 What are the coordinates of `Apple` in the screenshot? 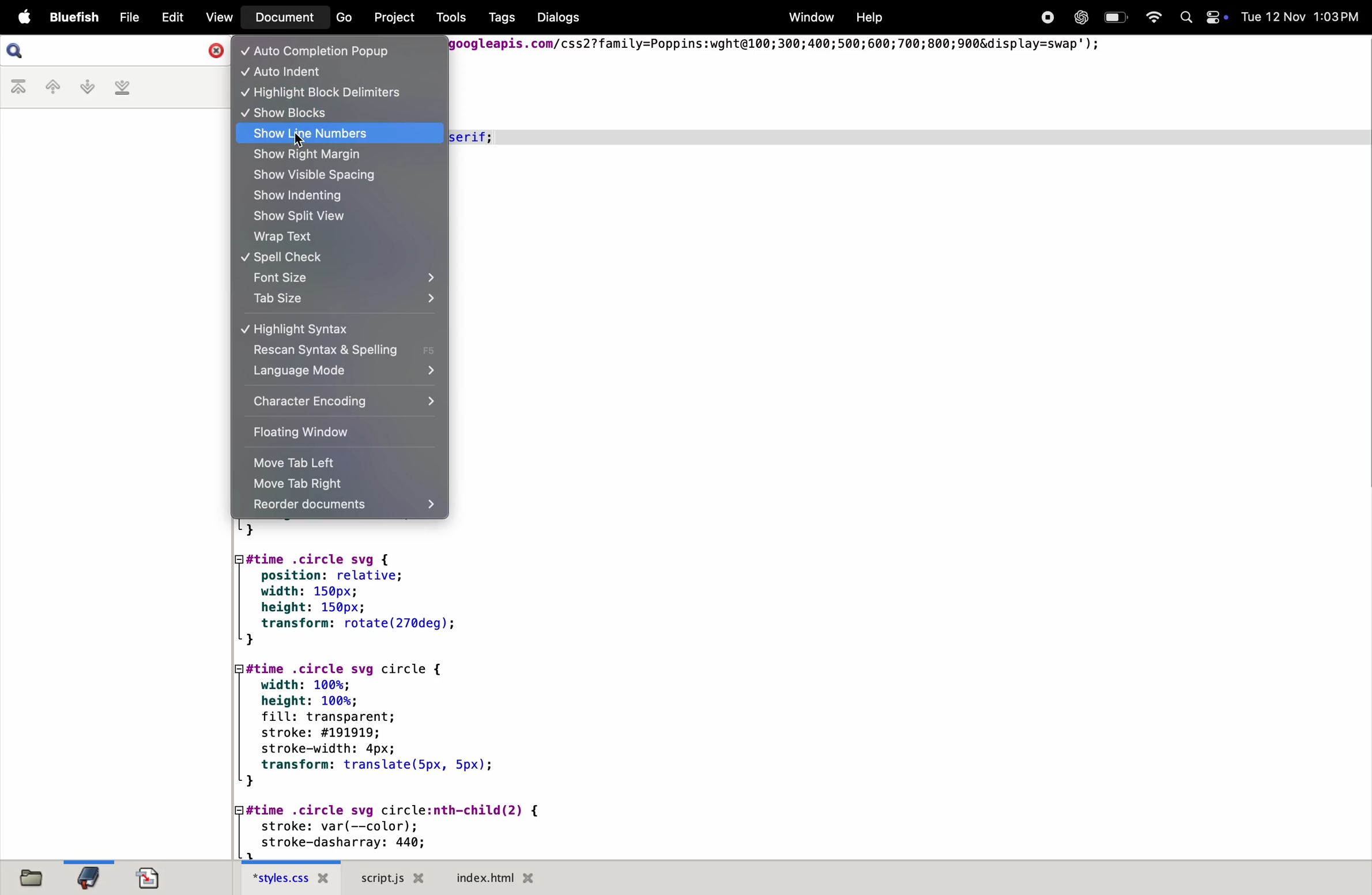 It's located at (19, 16).